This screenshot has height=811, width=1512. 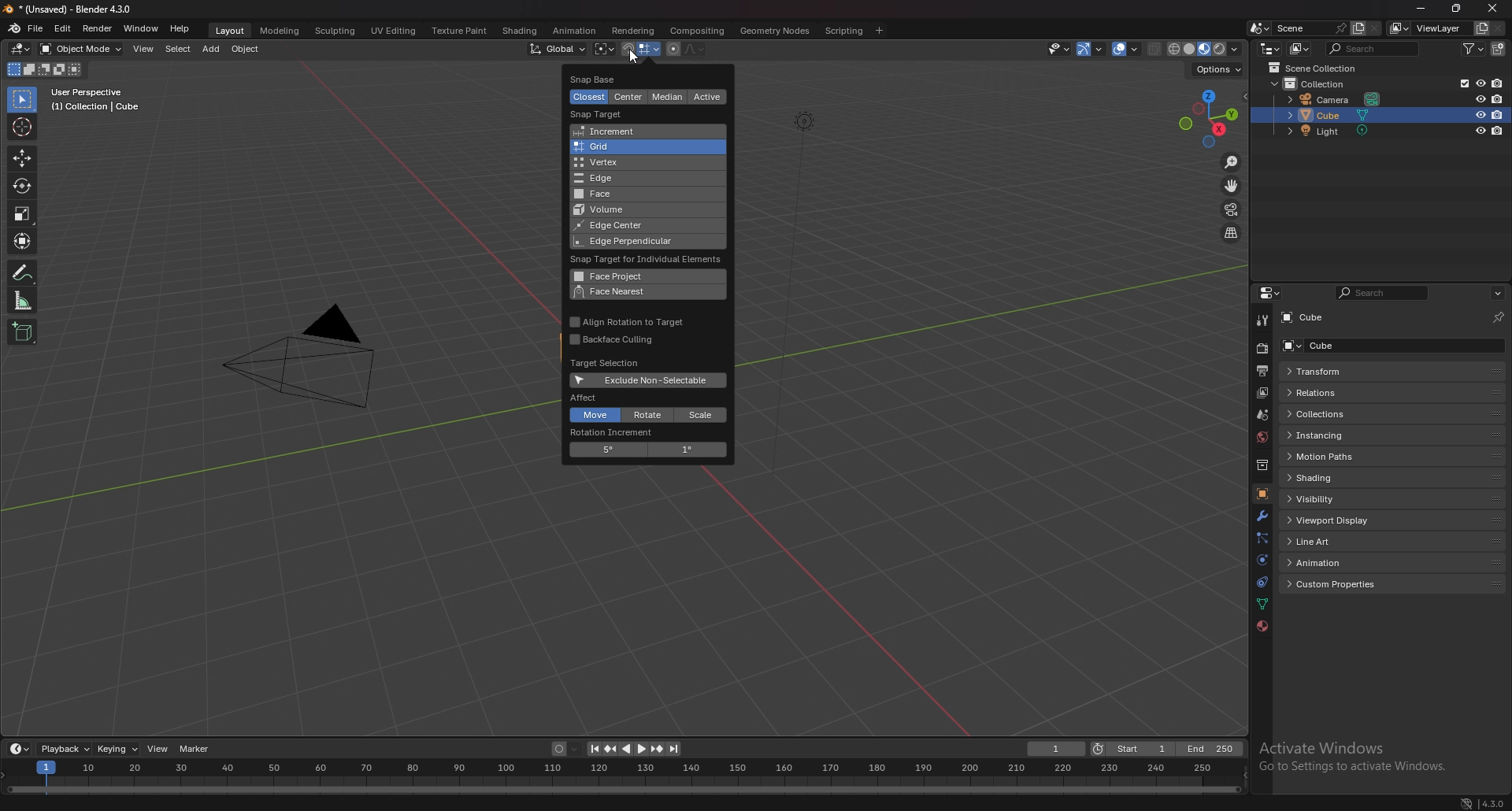 What do you see at coordinates (1466, 799) in the screenshot?
I see `network` at bounding box center [1466, 799].